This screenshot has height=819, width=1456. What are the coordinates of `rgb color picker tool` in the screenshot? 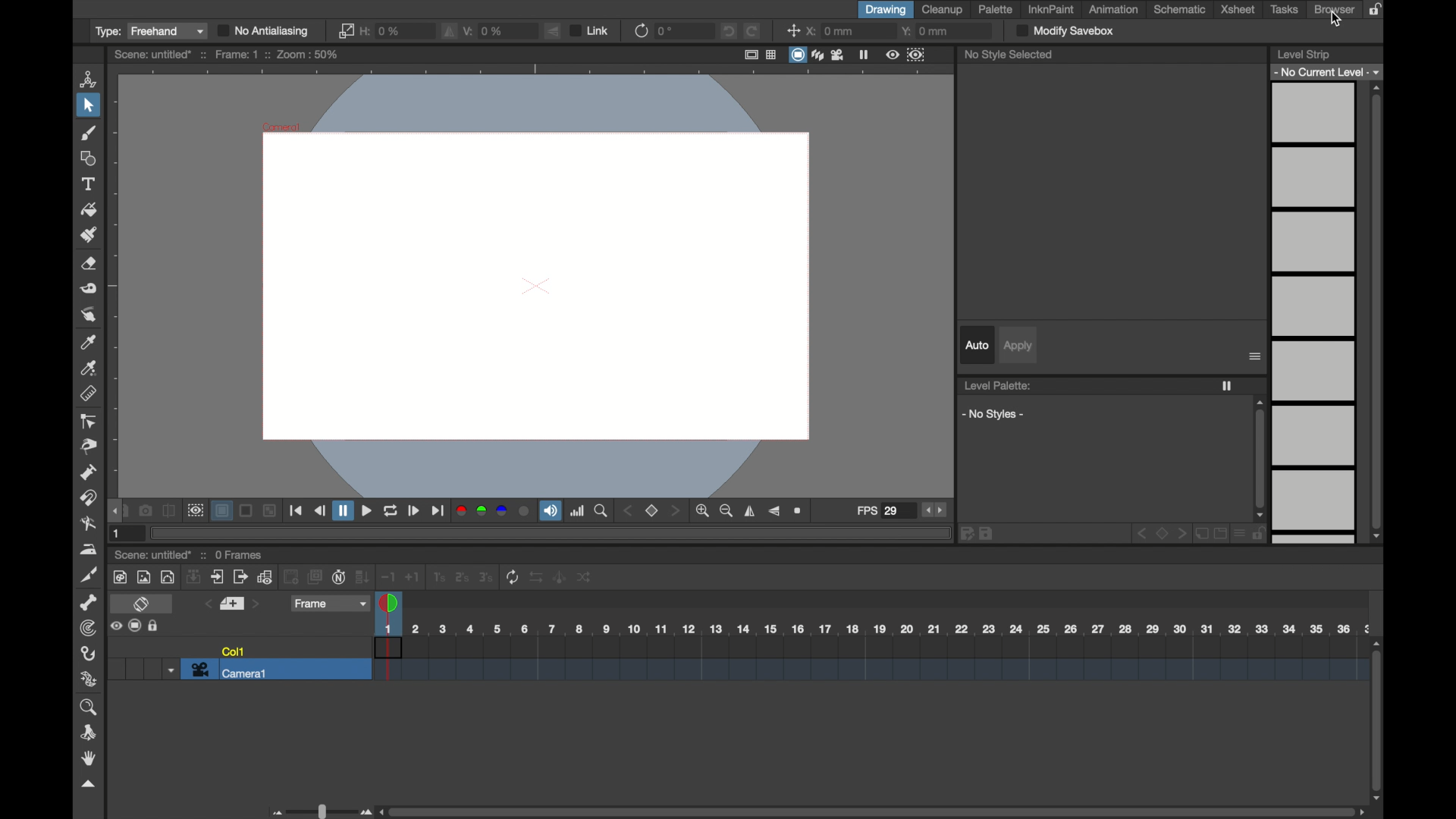 It's located at (91, 369).